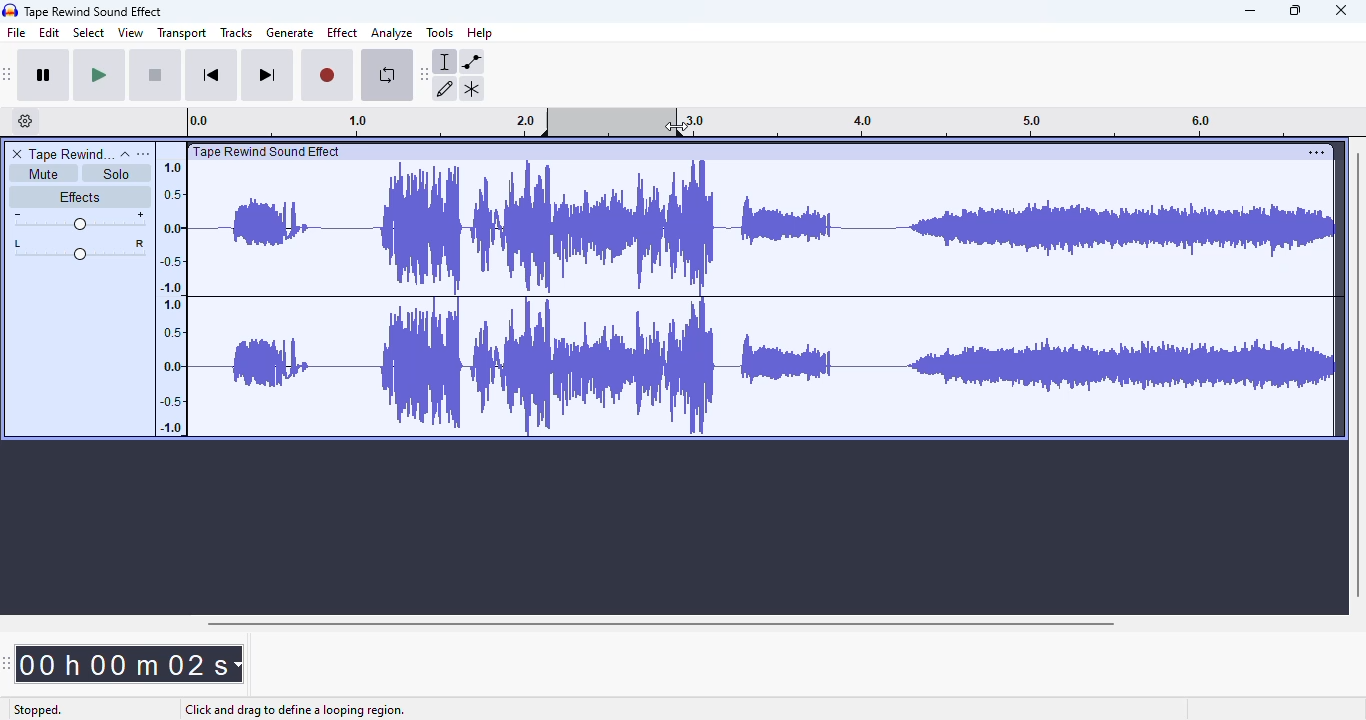 The height and width of the screenshot is (720, 1366). Describe the element at coordinates (764, 298) in the screenshot. I see `audio track` at that location.